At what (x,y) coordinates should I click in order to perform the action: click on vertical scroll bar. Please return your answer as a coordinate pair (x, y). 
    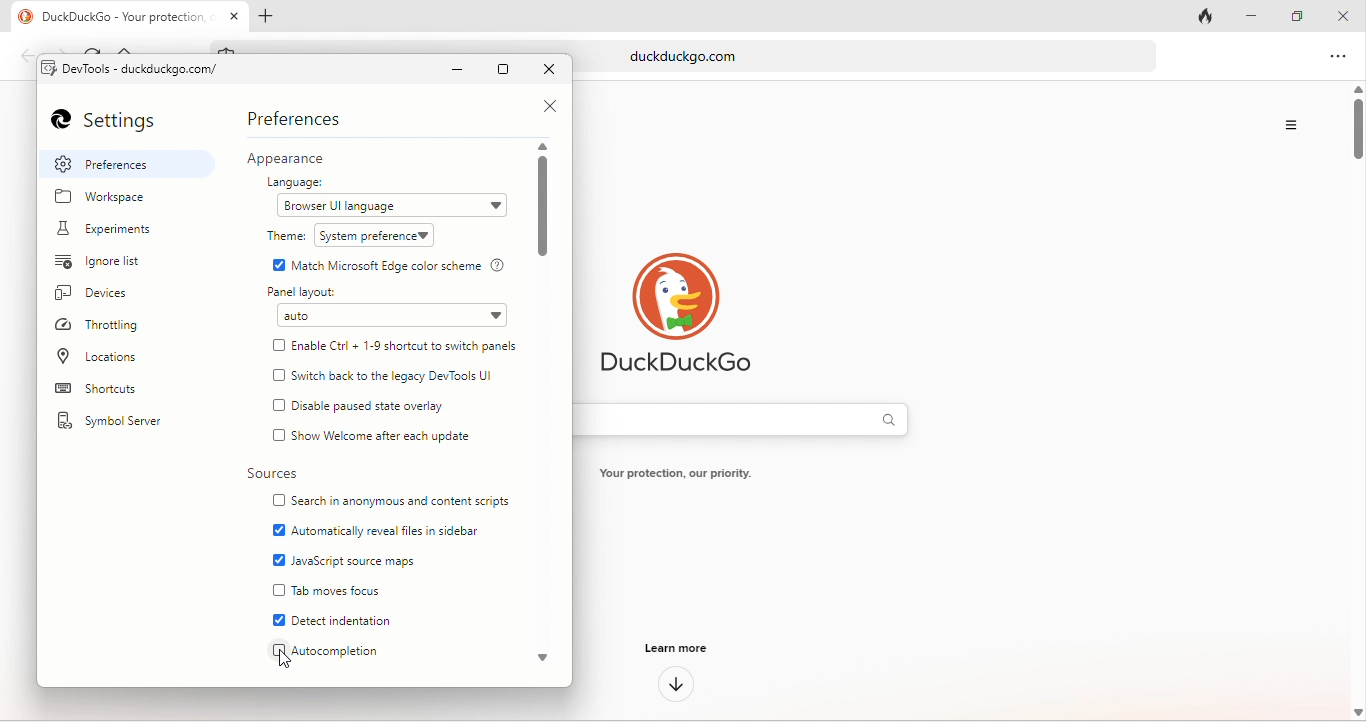
    Looking at the image, I should click on (1357, 403).